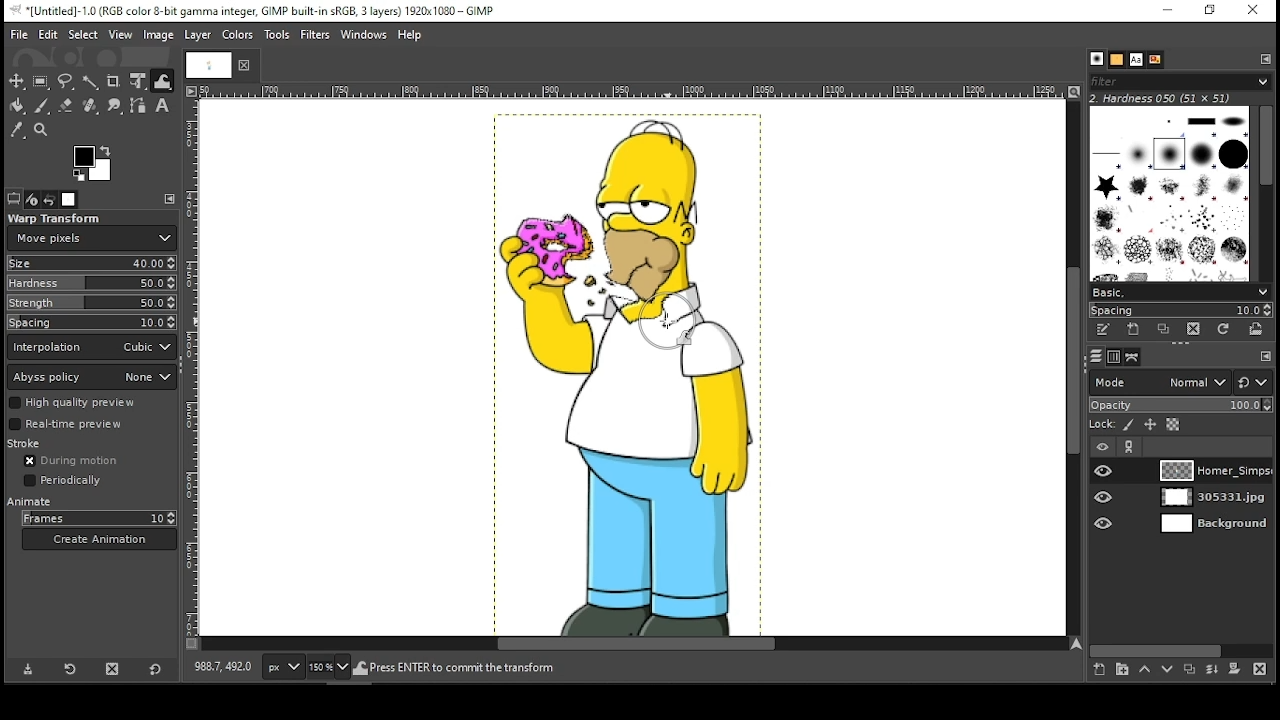 This screenshot has height=720, width=1280. Describe the element at coordinates (455, 670) in the screenshot. I see `homer_simpson_2006.png (27.9 mb)` at that location.